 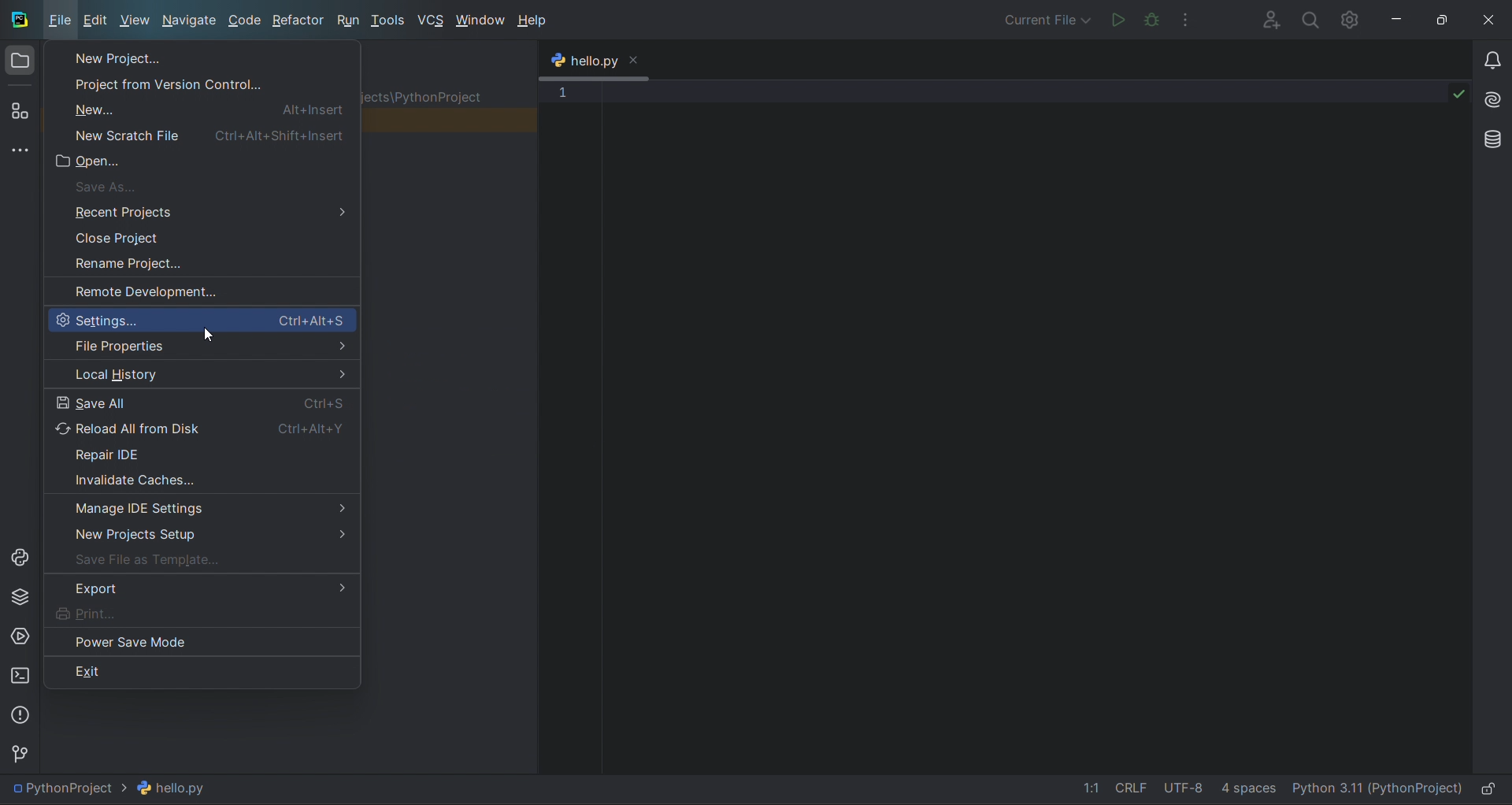 I want to click on close, so click(x=639, y=58).